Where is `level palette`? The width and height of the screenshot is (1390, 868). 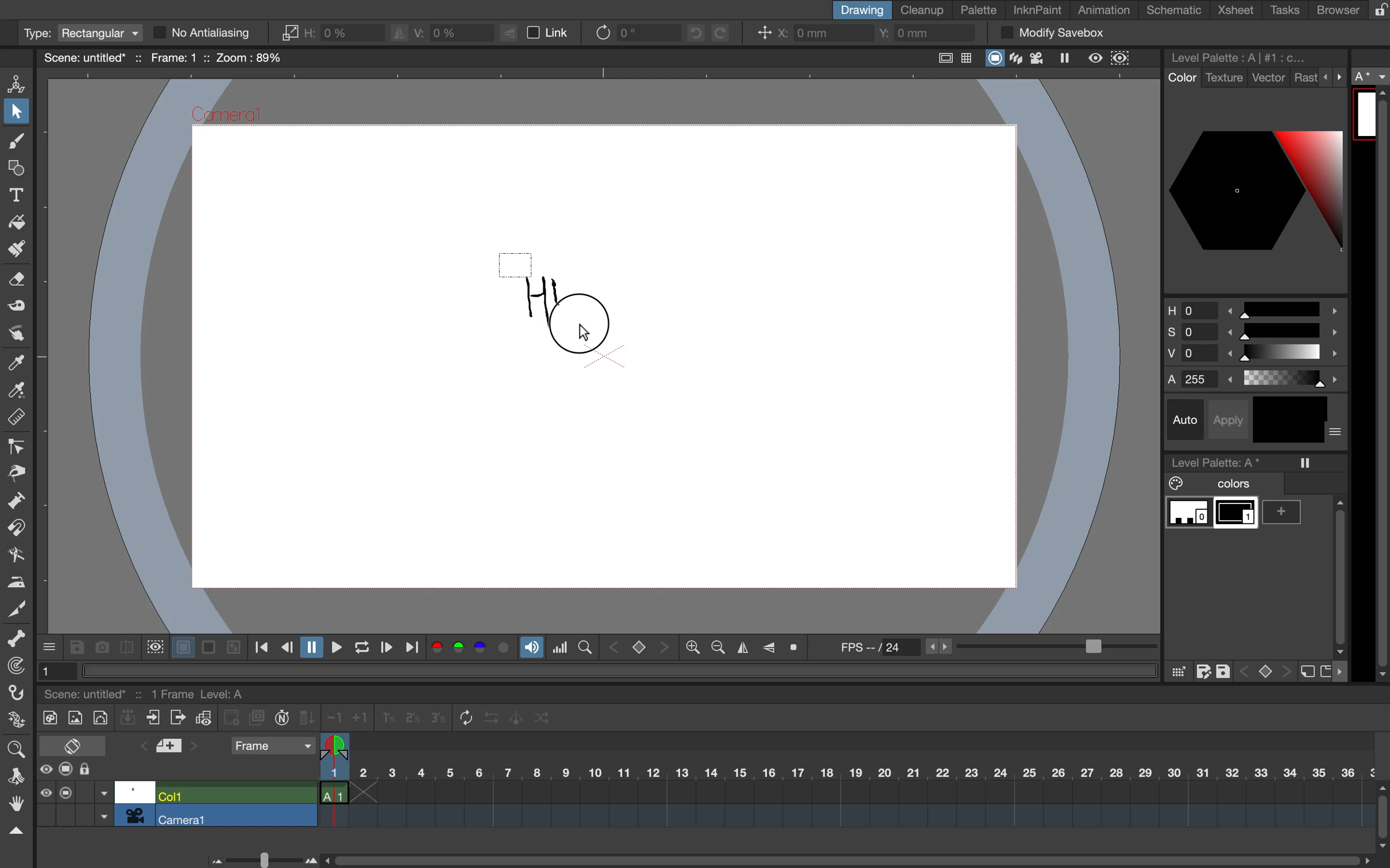
level palette is located at coordinates (1242, 57).